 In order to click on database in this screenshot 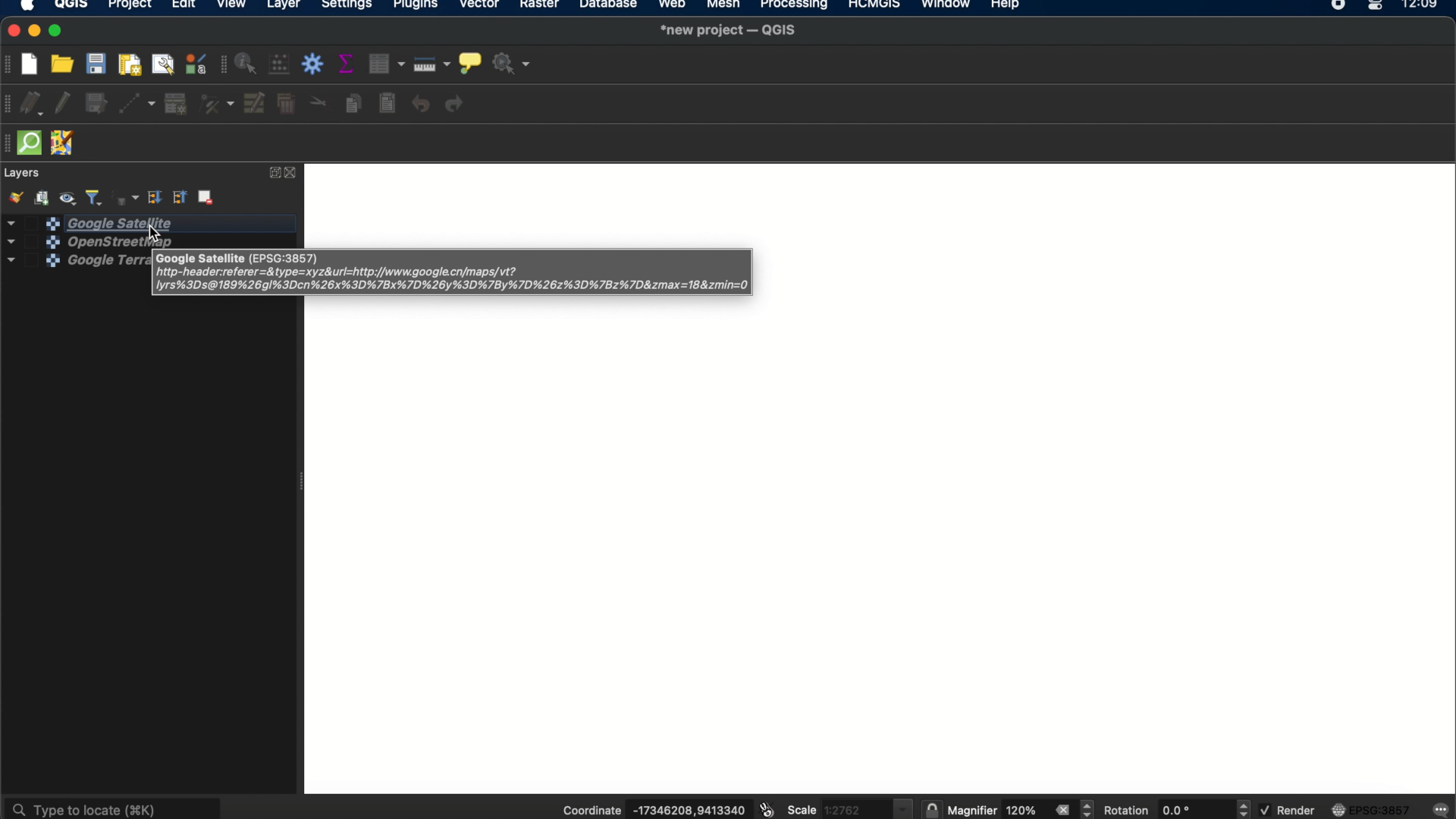, I will do `click(609, 6)`.